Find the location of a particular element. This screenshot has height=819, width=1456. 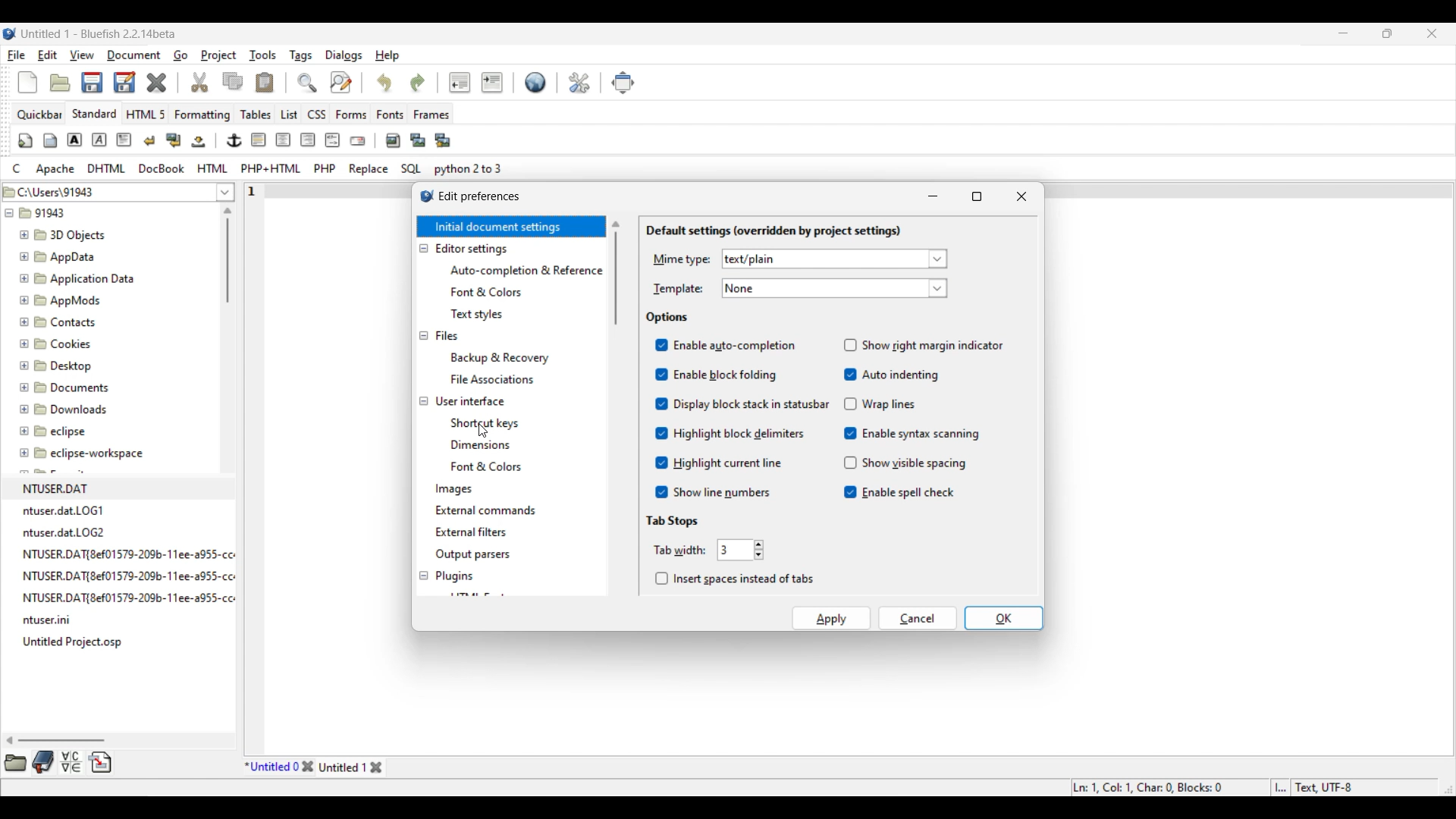

Minimize is located at coordinates (1344, 33).